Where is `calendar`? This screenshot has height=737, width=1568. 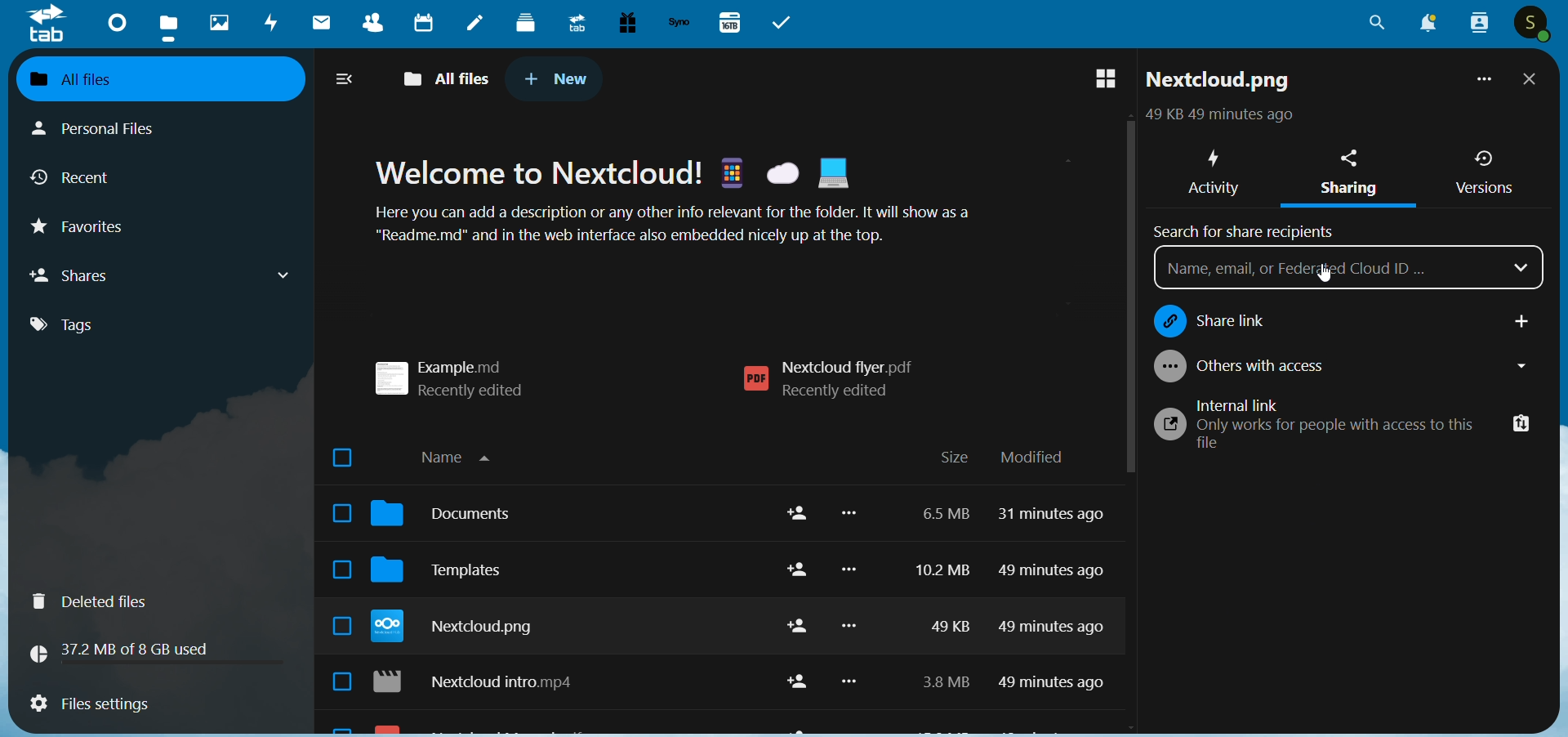 calendar is located at coordinates (430, 25).